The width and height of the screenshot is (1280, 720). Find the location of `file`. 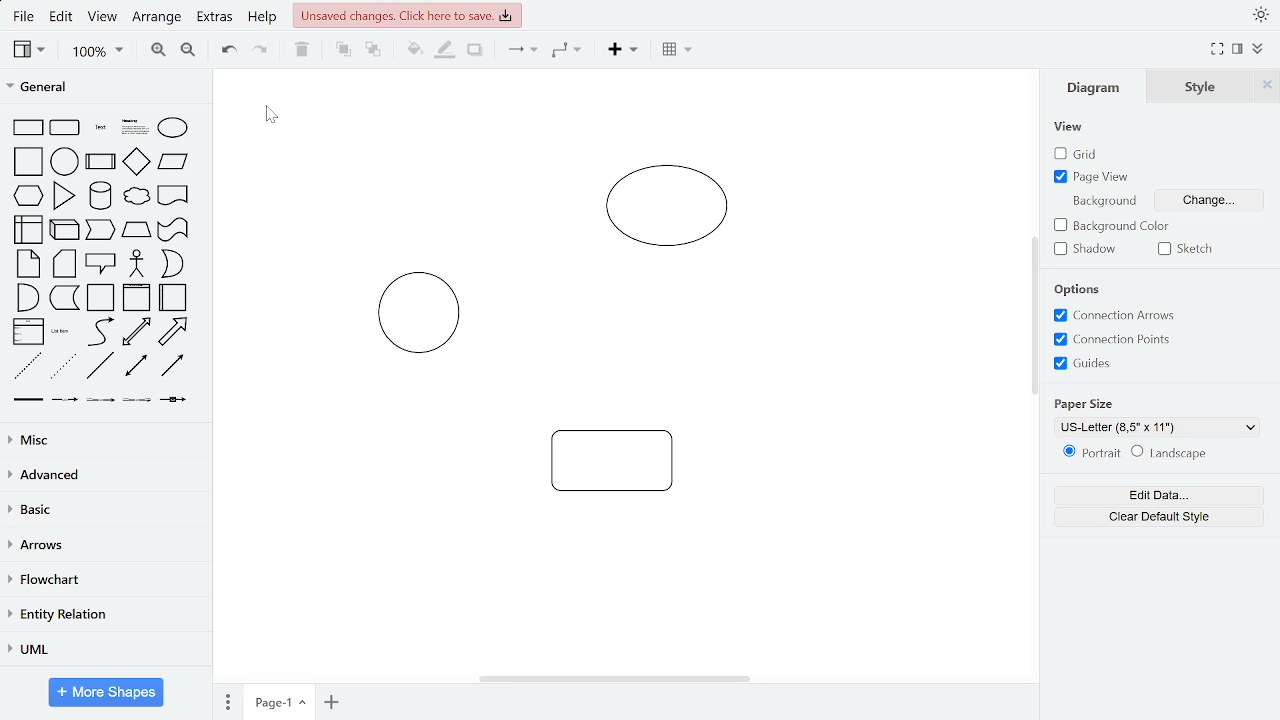

file is located at coordinates (24, 16).